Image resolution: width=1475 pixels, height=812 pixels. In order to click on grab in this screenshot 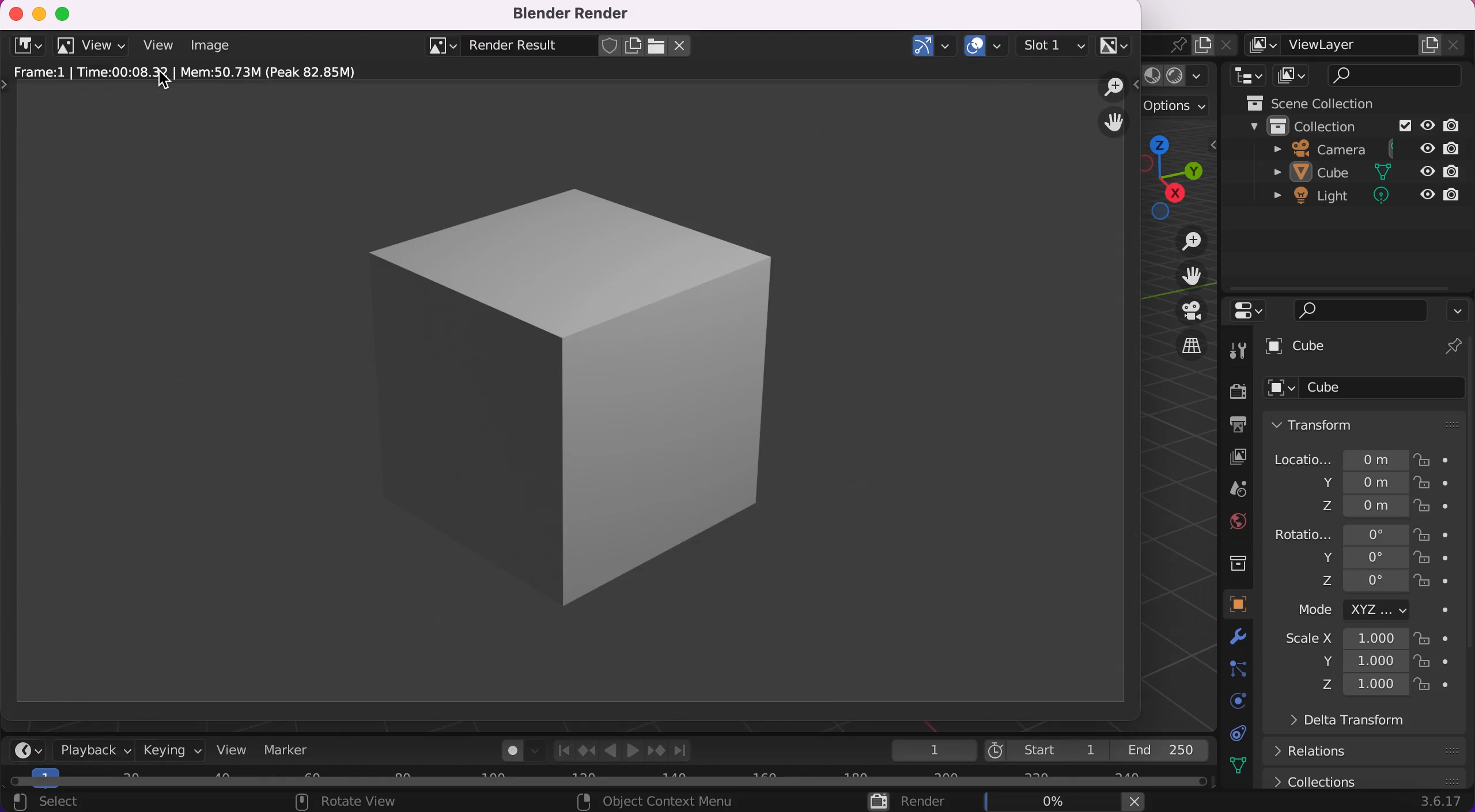, I will do `click(1113, 121)`.